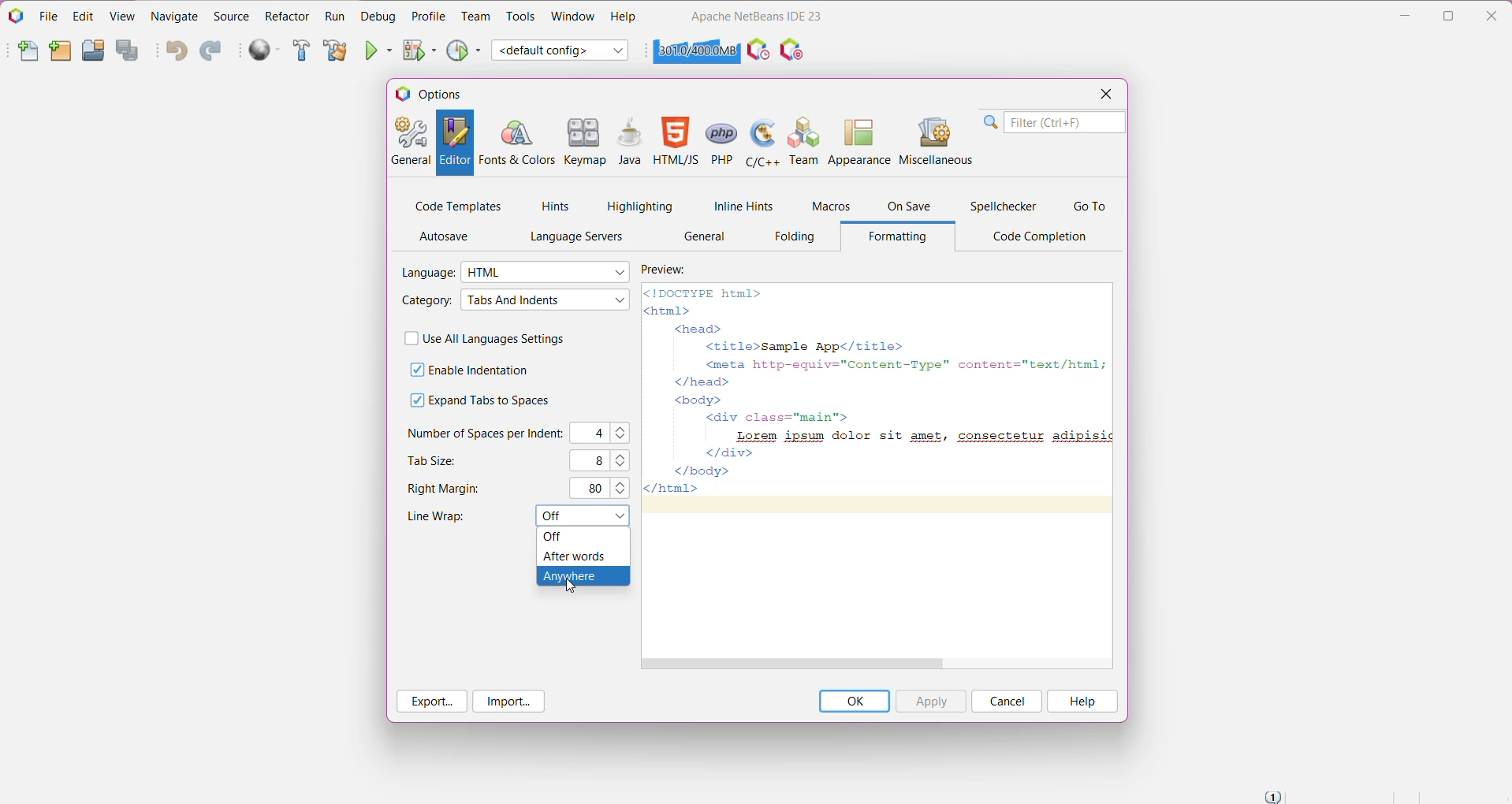 Image resolution: width=1512 pixels, height=804 pixels. What do you see at coordinates (231, 17) in the screenshot?
I see `Source` at bounding box center [231, 17].